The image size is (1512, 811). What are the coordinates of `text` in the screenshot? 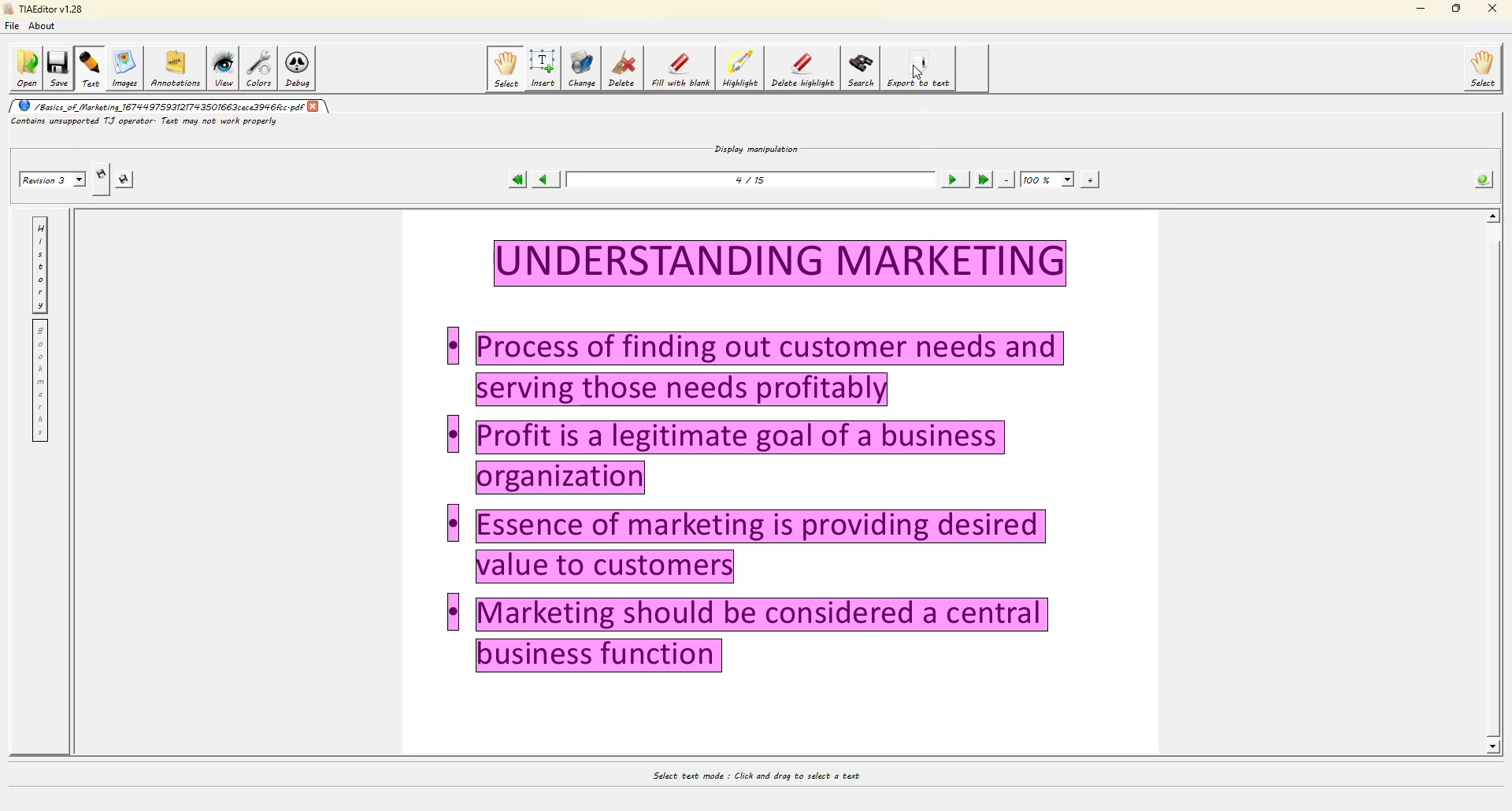 It's located at (92, 71).